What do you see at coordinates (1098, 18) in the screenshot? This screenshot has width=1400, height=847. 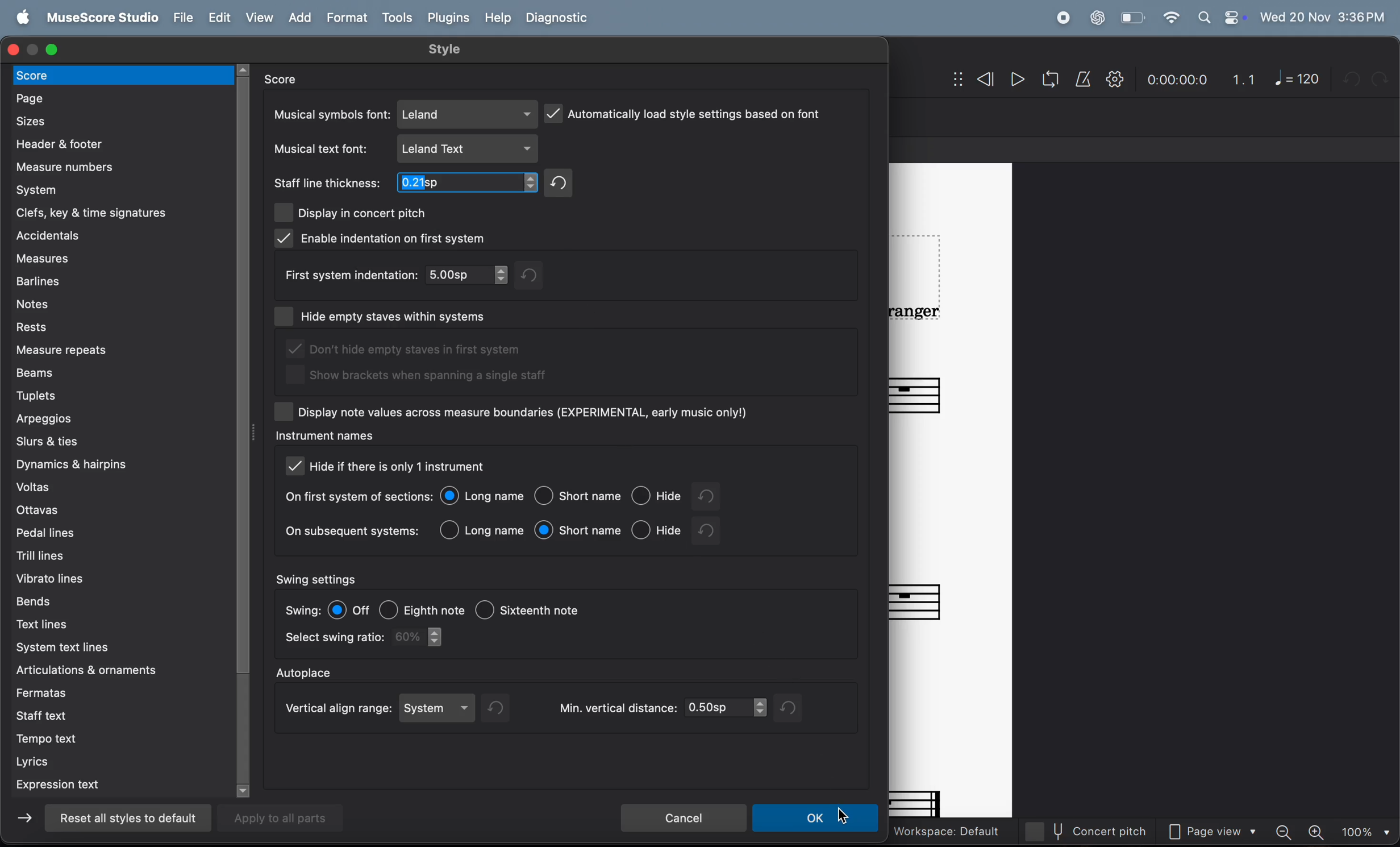 I see `chat gpt` at bounding box center [1098, 18].